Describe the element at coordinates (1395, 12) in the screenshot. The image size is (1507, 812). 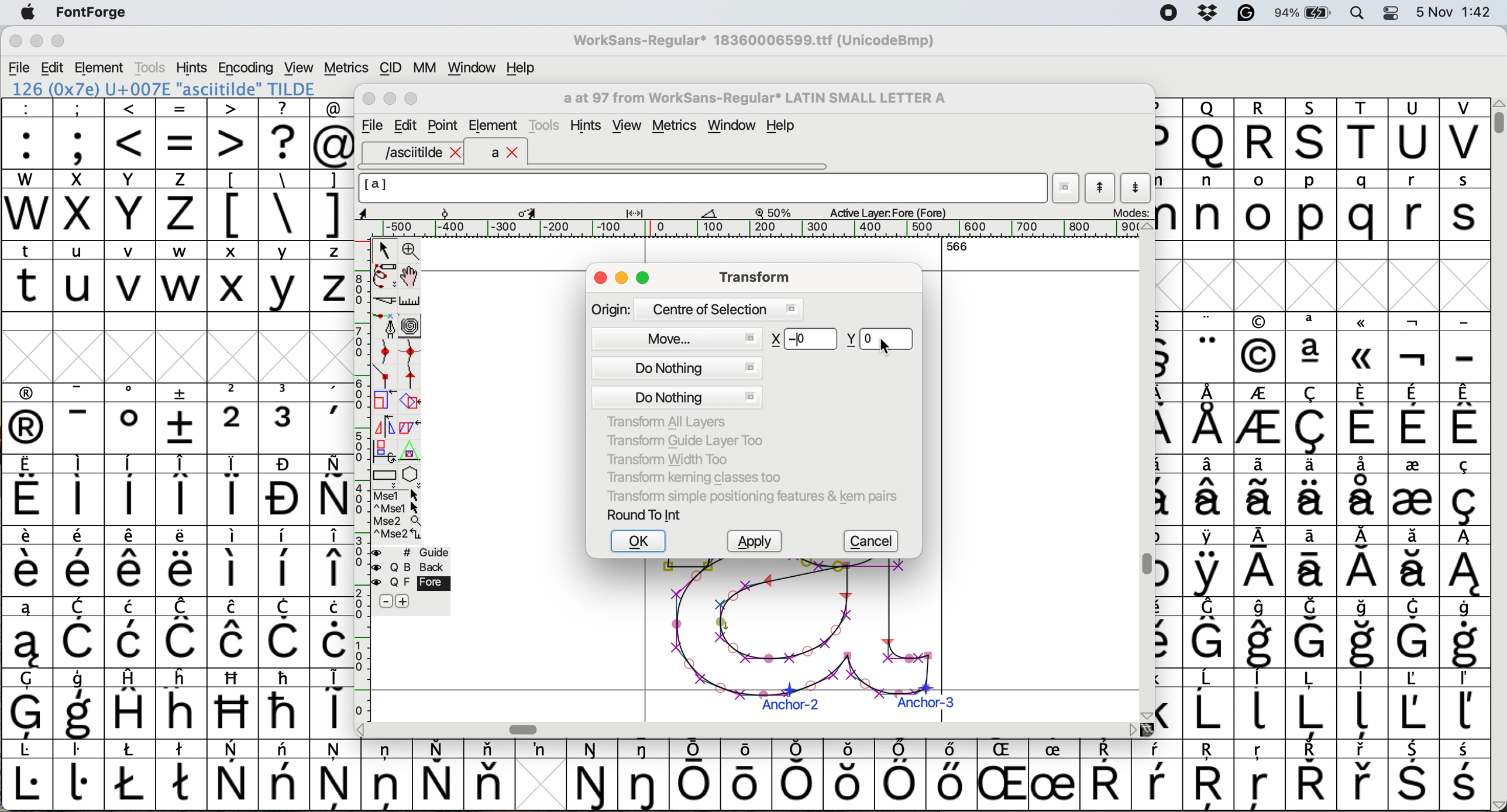
I see `control center` at that location.